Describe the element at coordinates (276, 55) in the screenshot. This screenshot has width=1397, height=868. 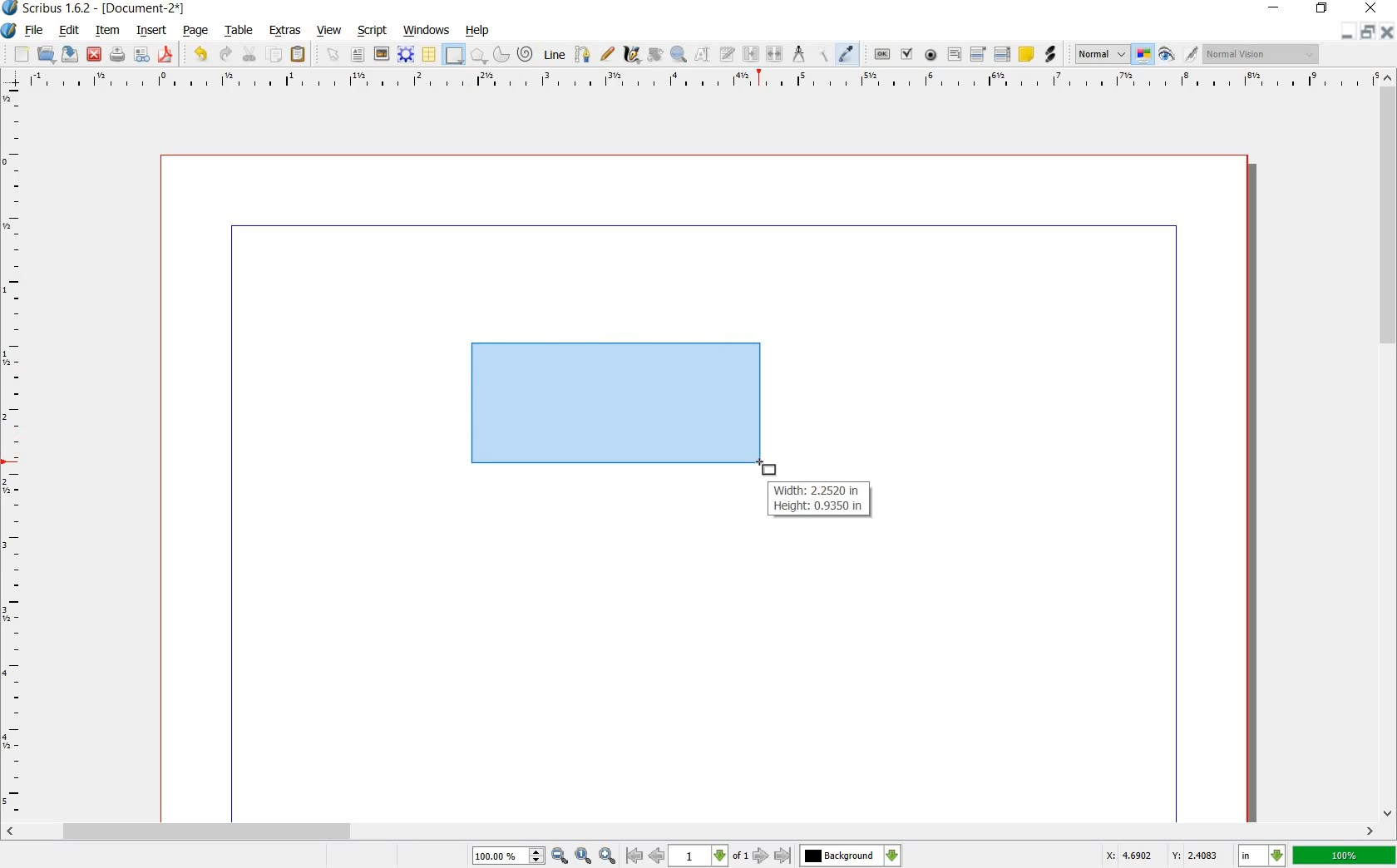
I see `COPY` at that location.